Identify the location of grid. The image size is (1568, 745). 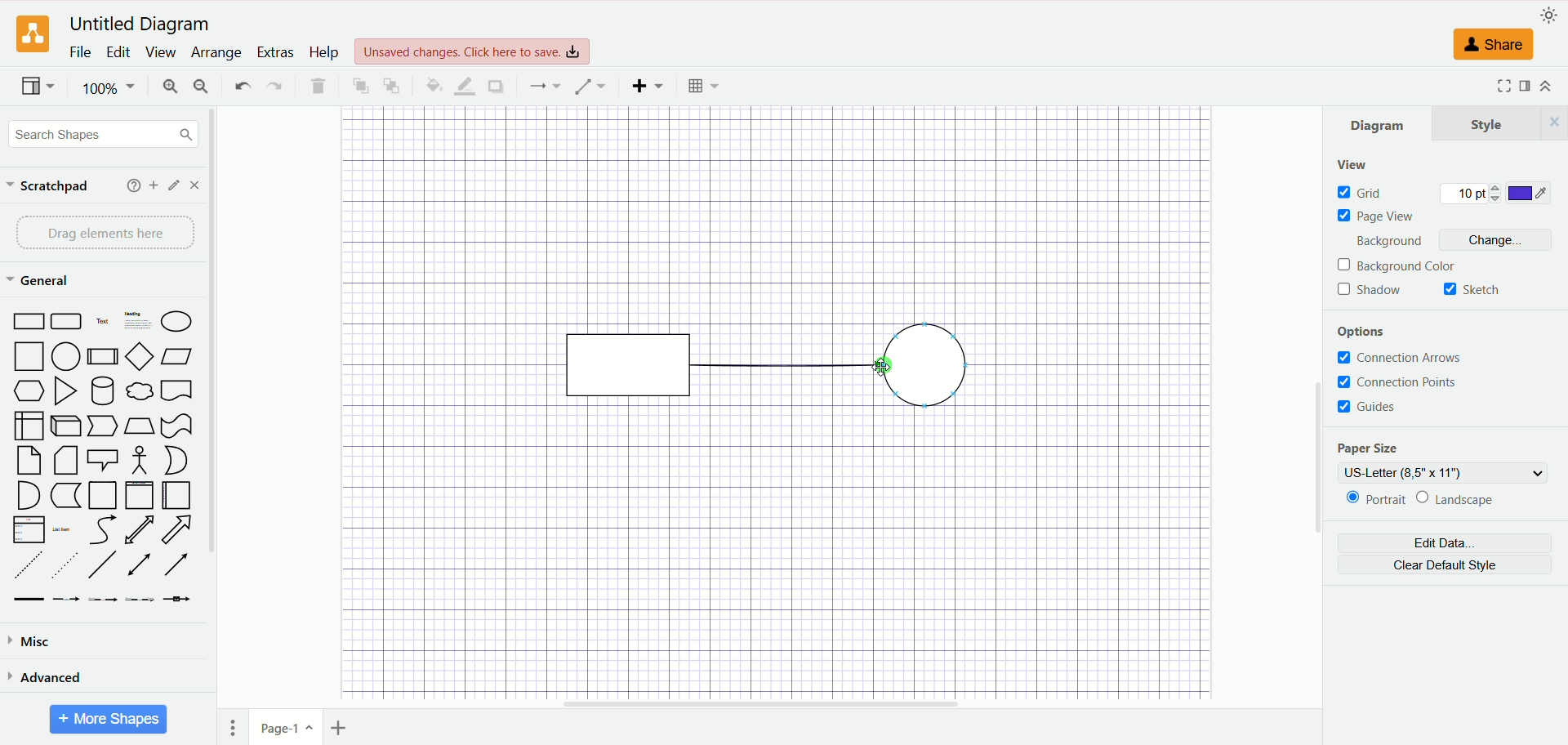
(1365, 191).